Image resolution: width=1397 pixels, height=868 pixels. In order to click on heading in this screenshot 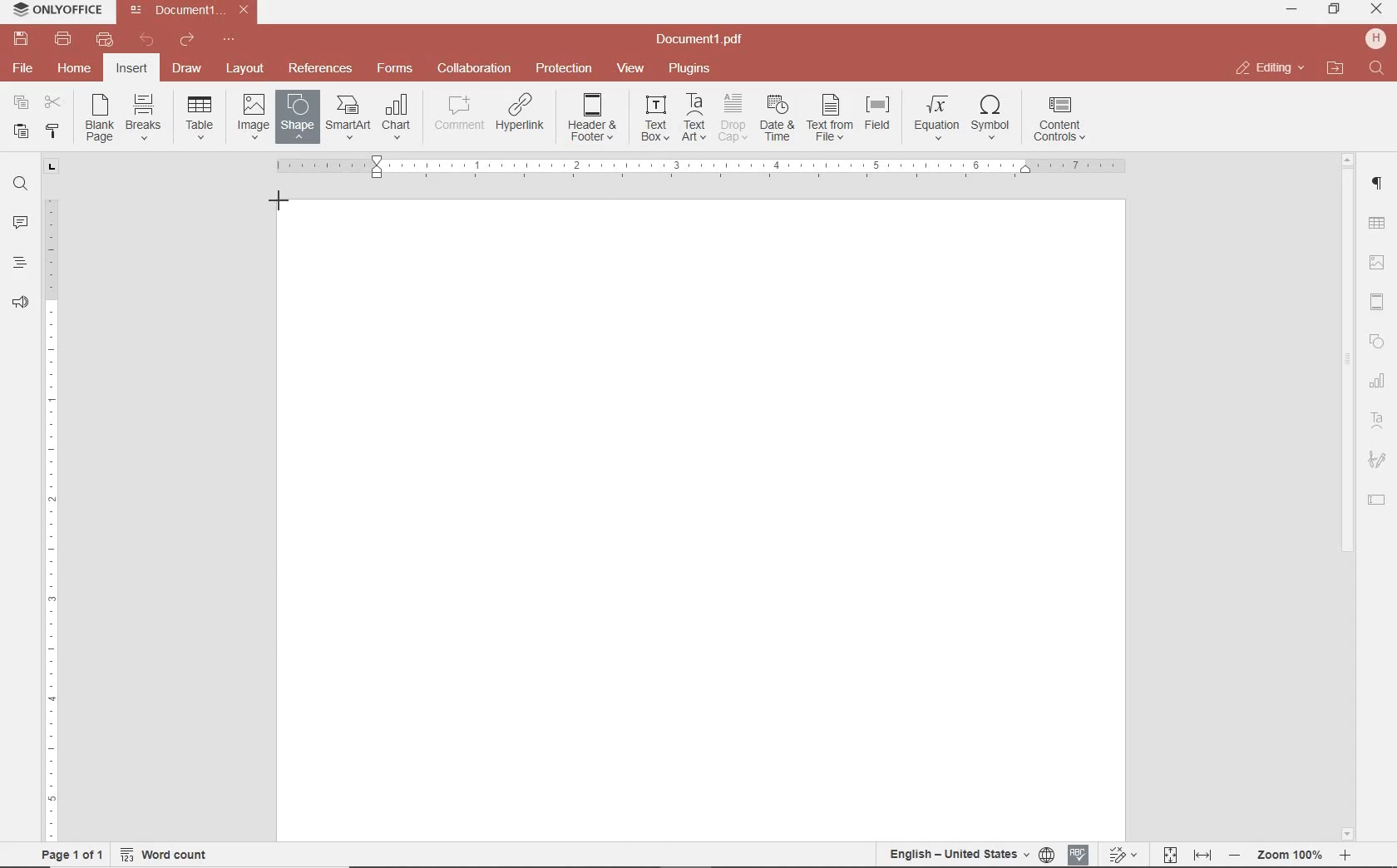, I will do `click(20, 262)`.